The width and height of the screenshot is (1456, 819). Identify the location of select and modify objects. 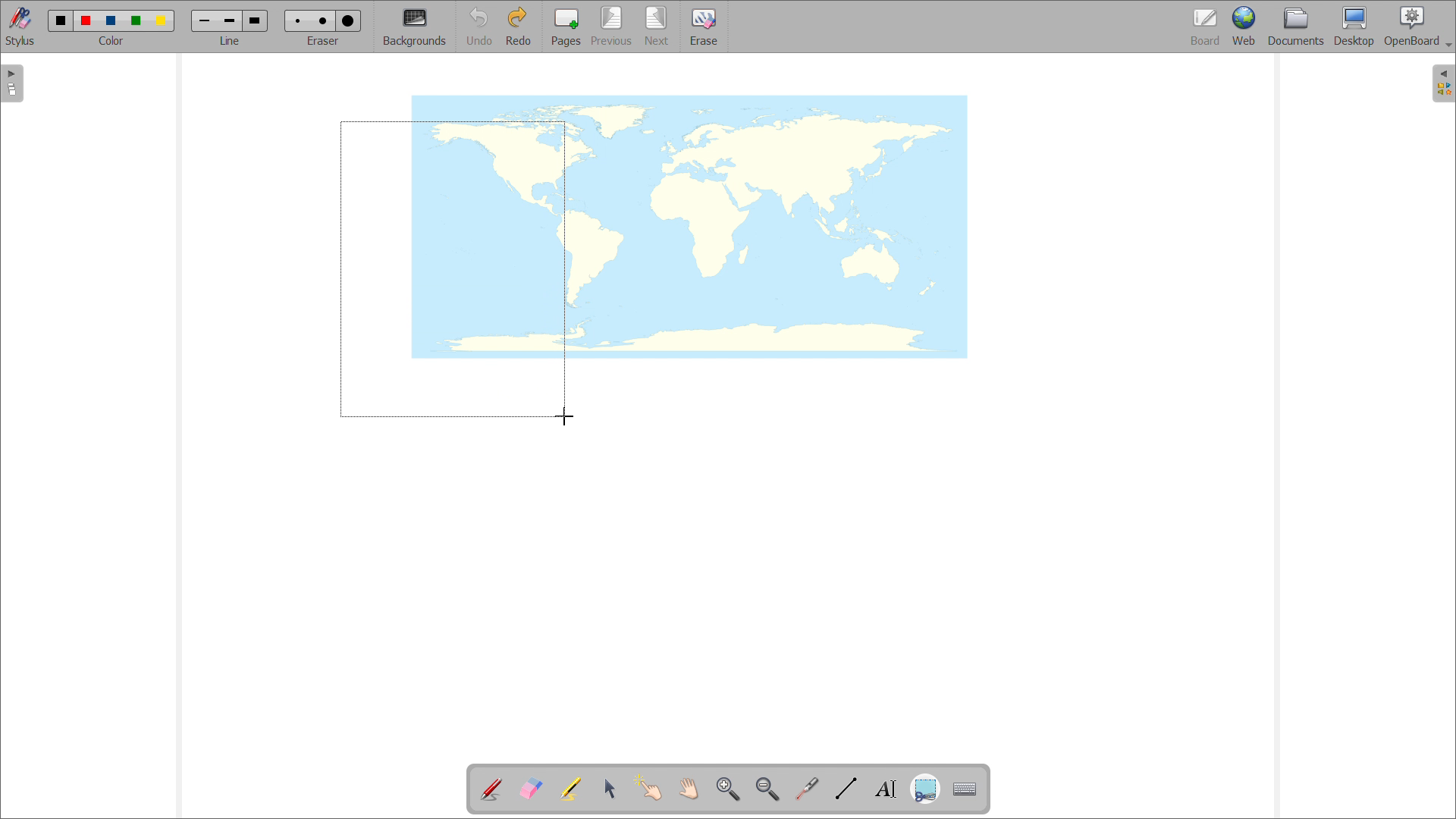
(610, 789).